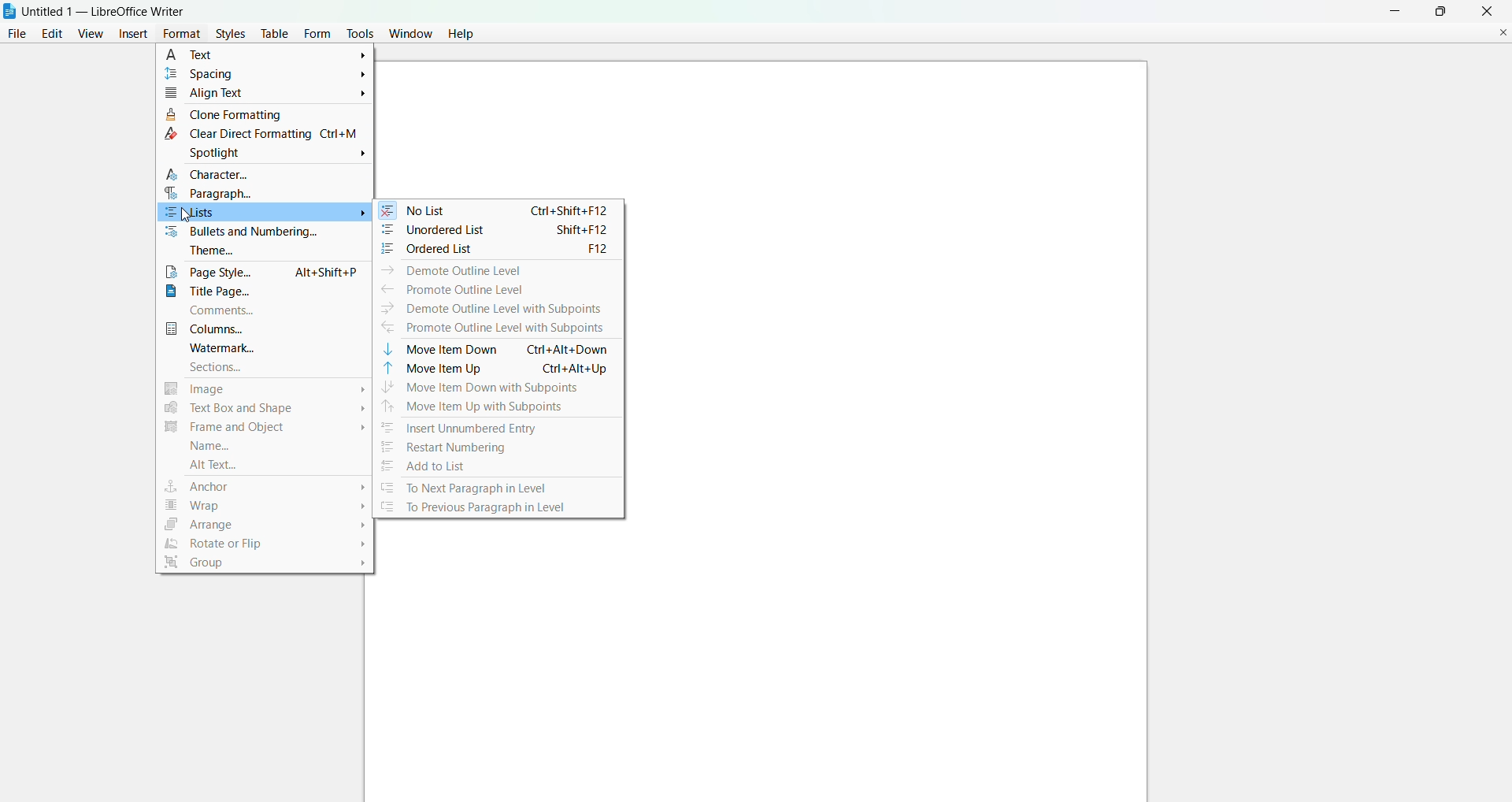 The image size is (1512, 802). What do you see at coordinates (228, 466) in the screenshot?
I see `alt text` at bounding box center [228, 466].